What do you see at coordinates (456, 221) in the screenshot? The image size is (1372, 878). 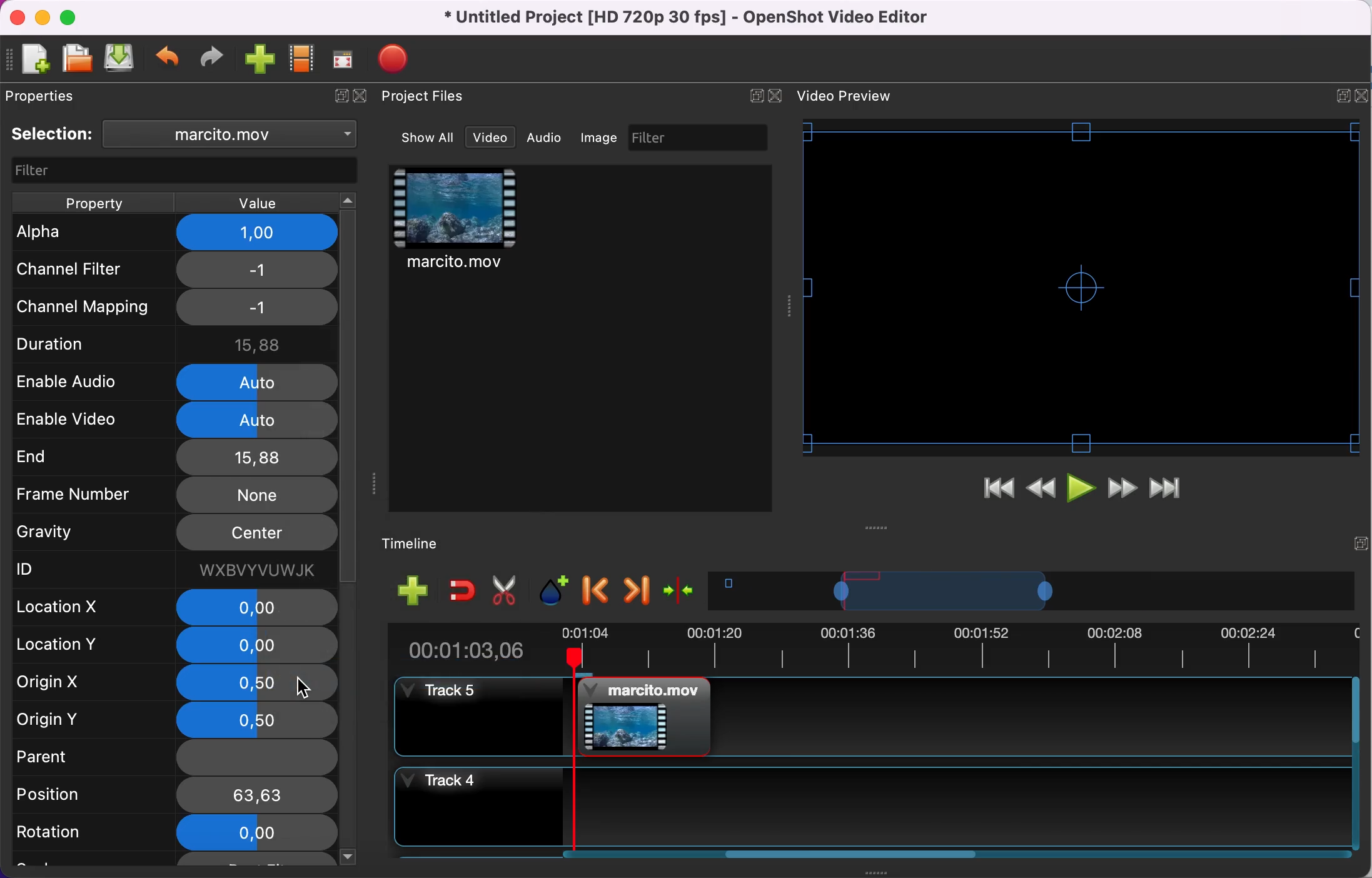 I see `video` at bounding box center [456, 221].